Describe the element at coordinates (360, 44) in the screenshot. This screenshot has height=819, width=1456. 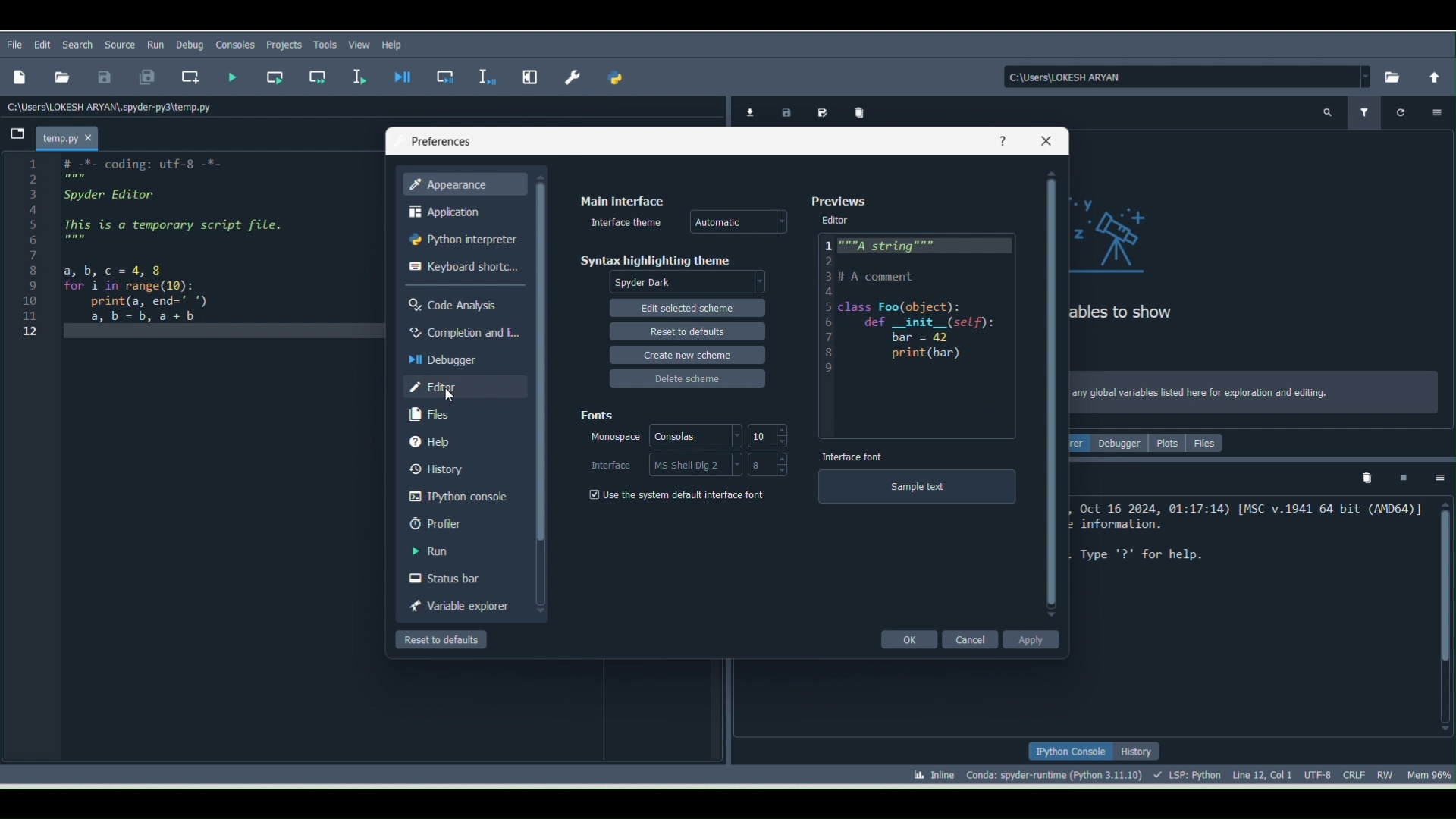
I see `View` at that location.